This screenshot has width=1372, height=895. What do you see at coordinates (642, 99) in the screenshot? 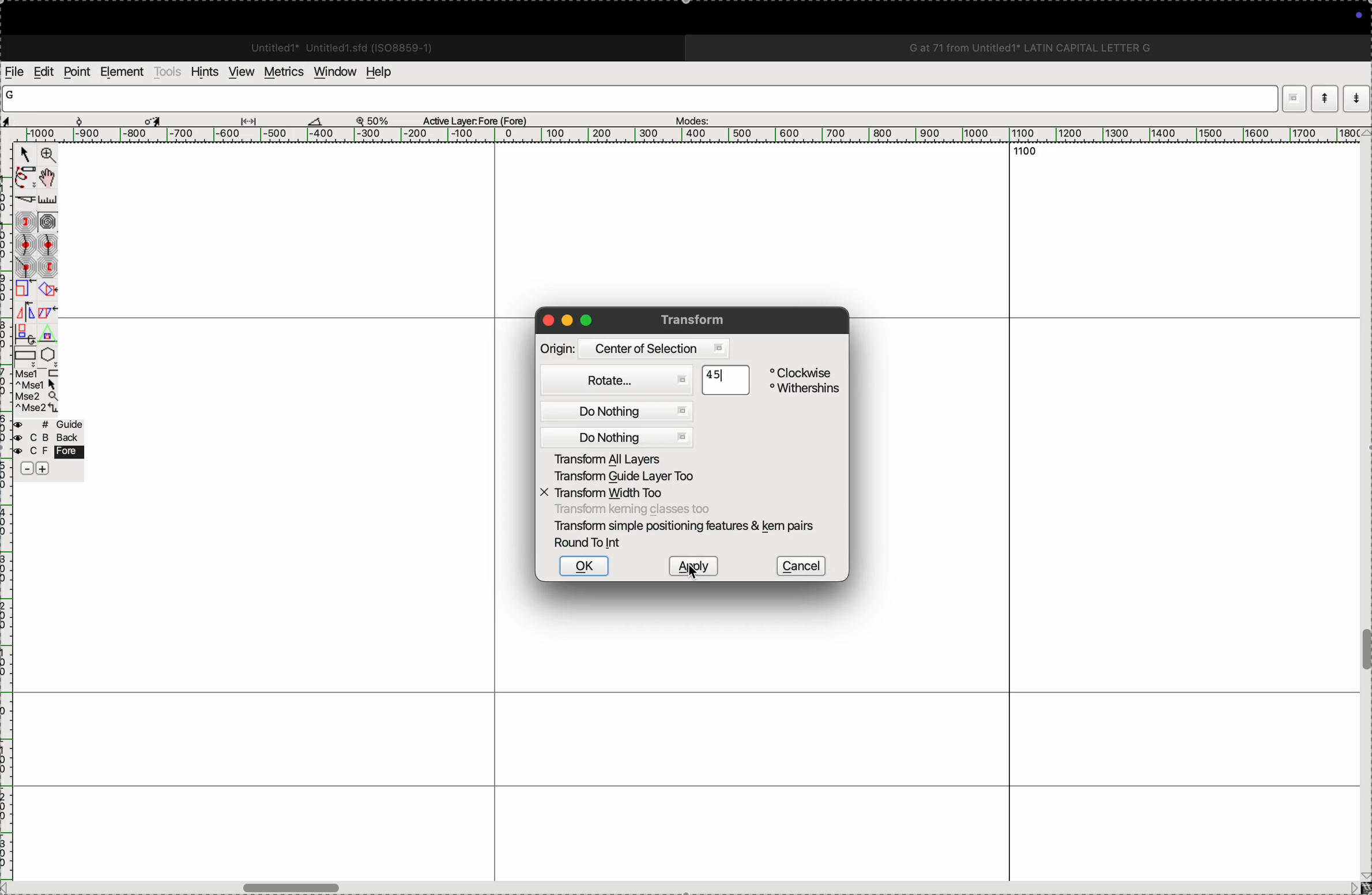
I see `word list input` at bounding box center [642, 99].